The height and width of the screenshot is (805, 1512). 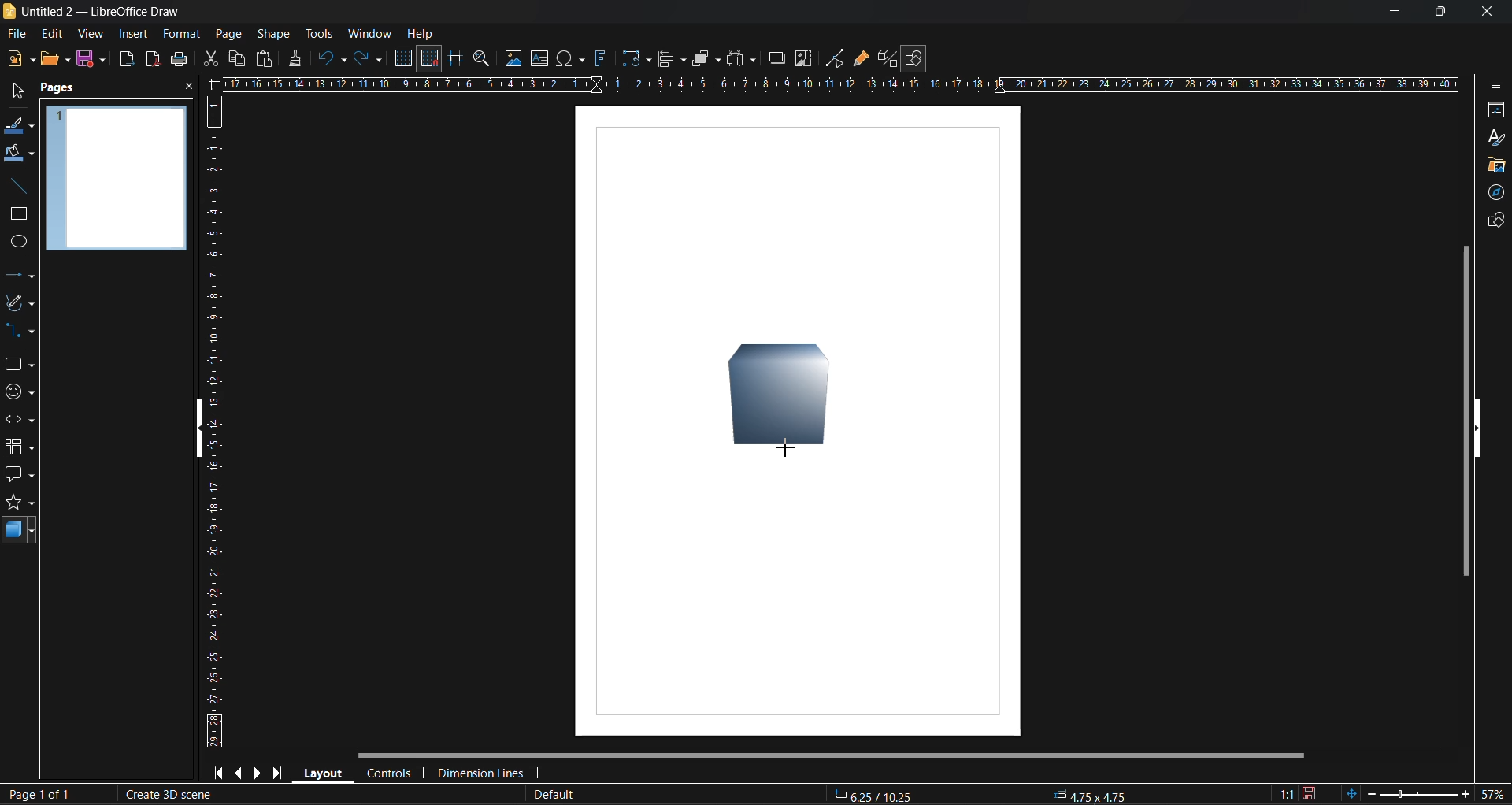 I want to click on styles, so click(x=1494, y=137).